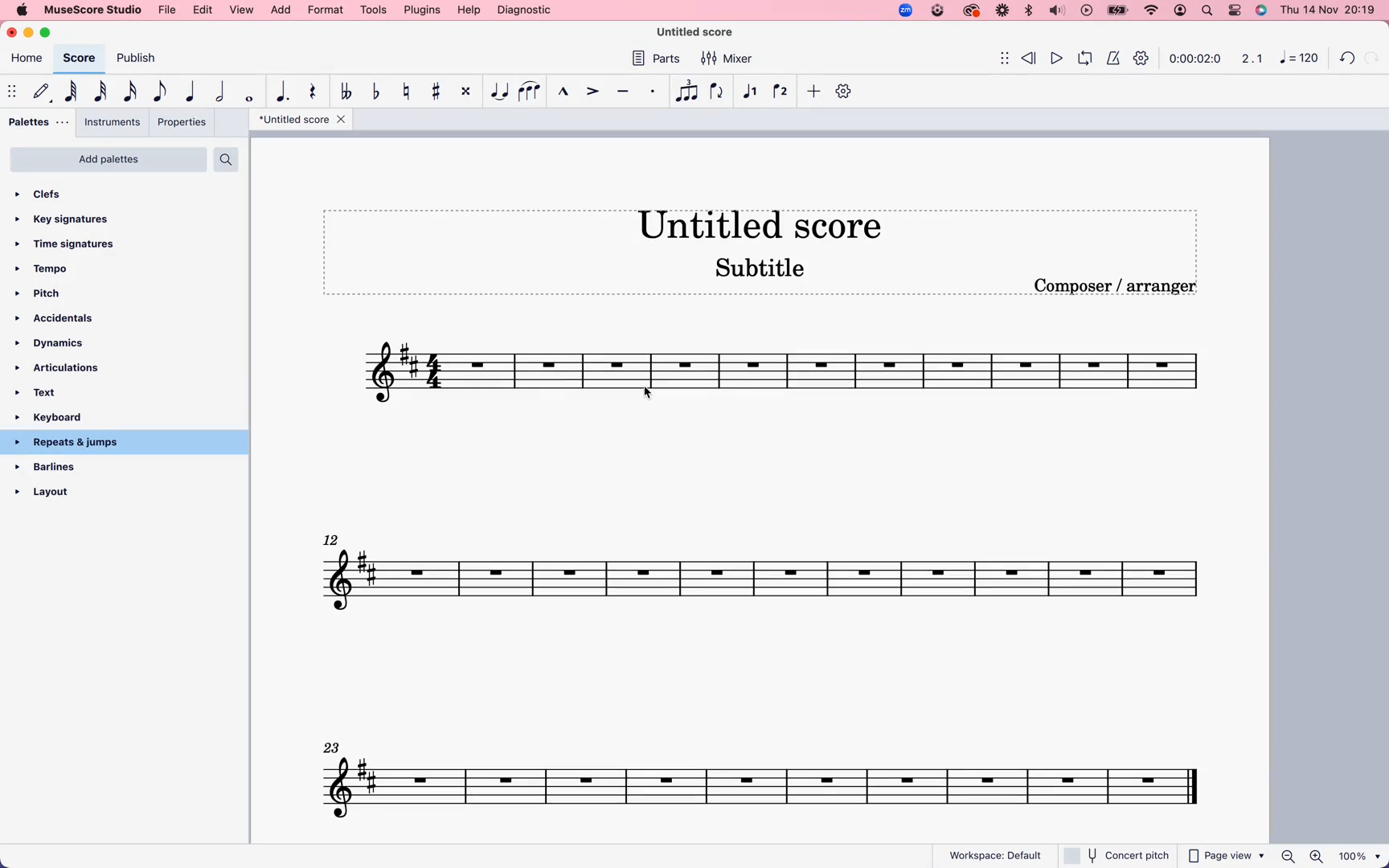 This screenshot has width=1389, height=868. Describe the element at coordinates (1297, 59) in the screenshot. I see `number` at that location.